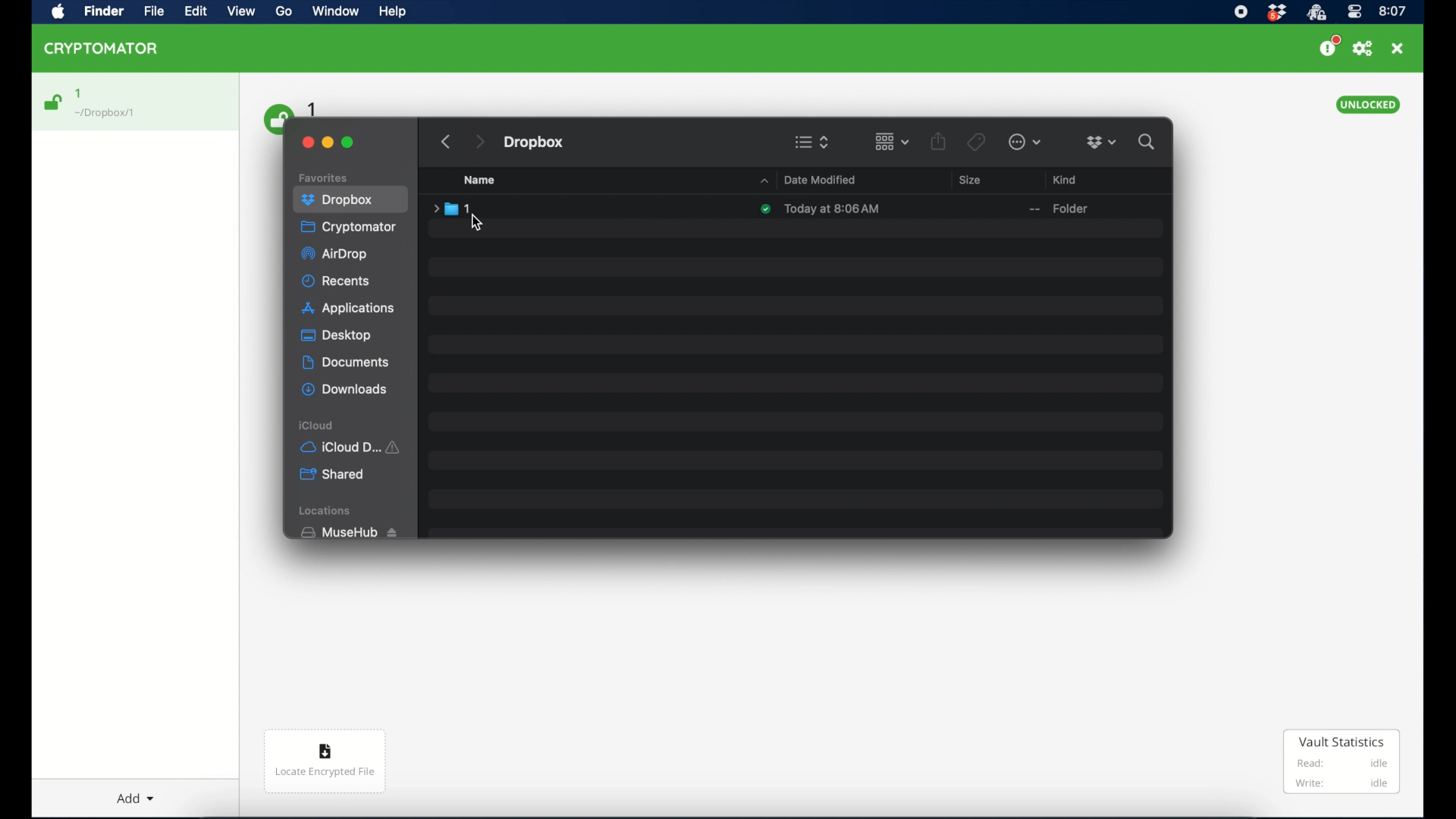 This screenshot has height=819, width=1456. I want to click on musehub, so click(348, 532).